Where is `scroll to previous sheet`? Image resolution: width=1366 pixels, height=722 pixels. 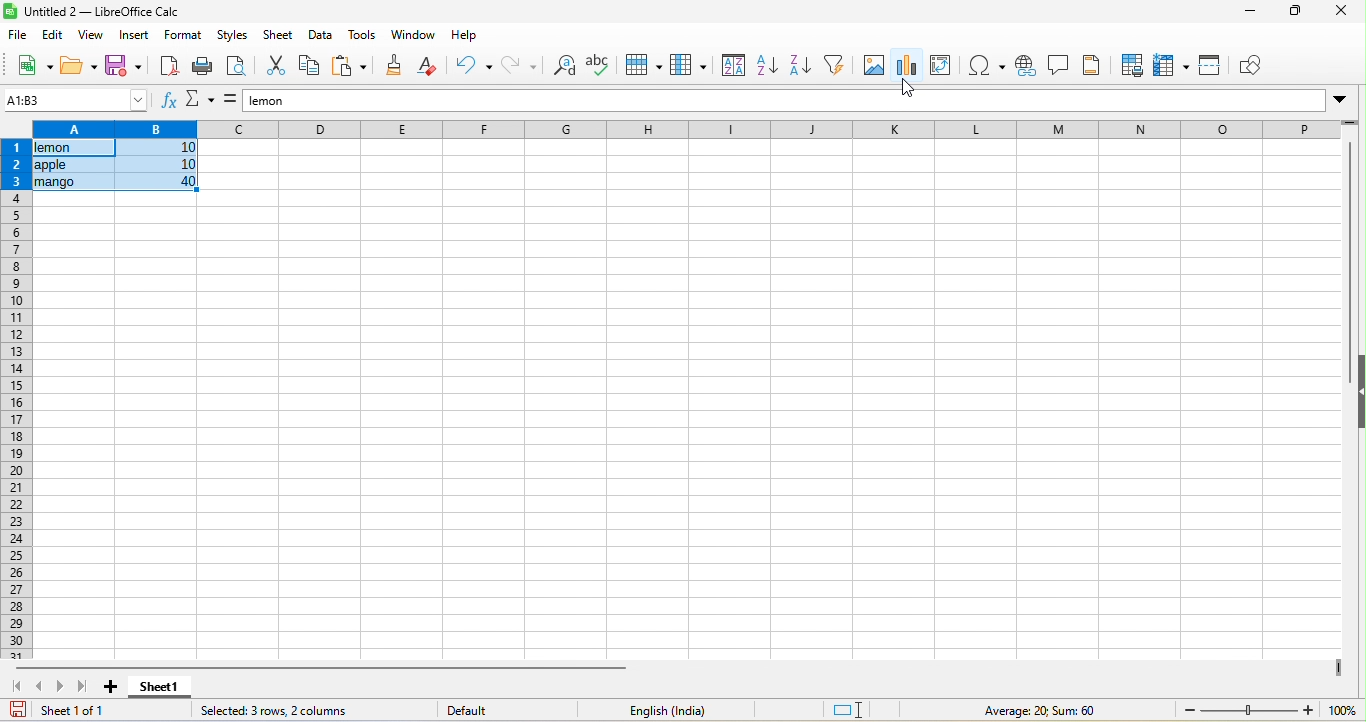 scroll to previous sheet is located at coordinates (42, 688).